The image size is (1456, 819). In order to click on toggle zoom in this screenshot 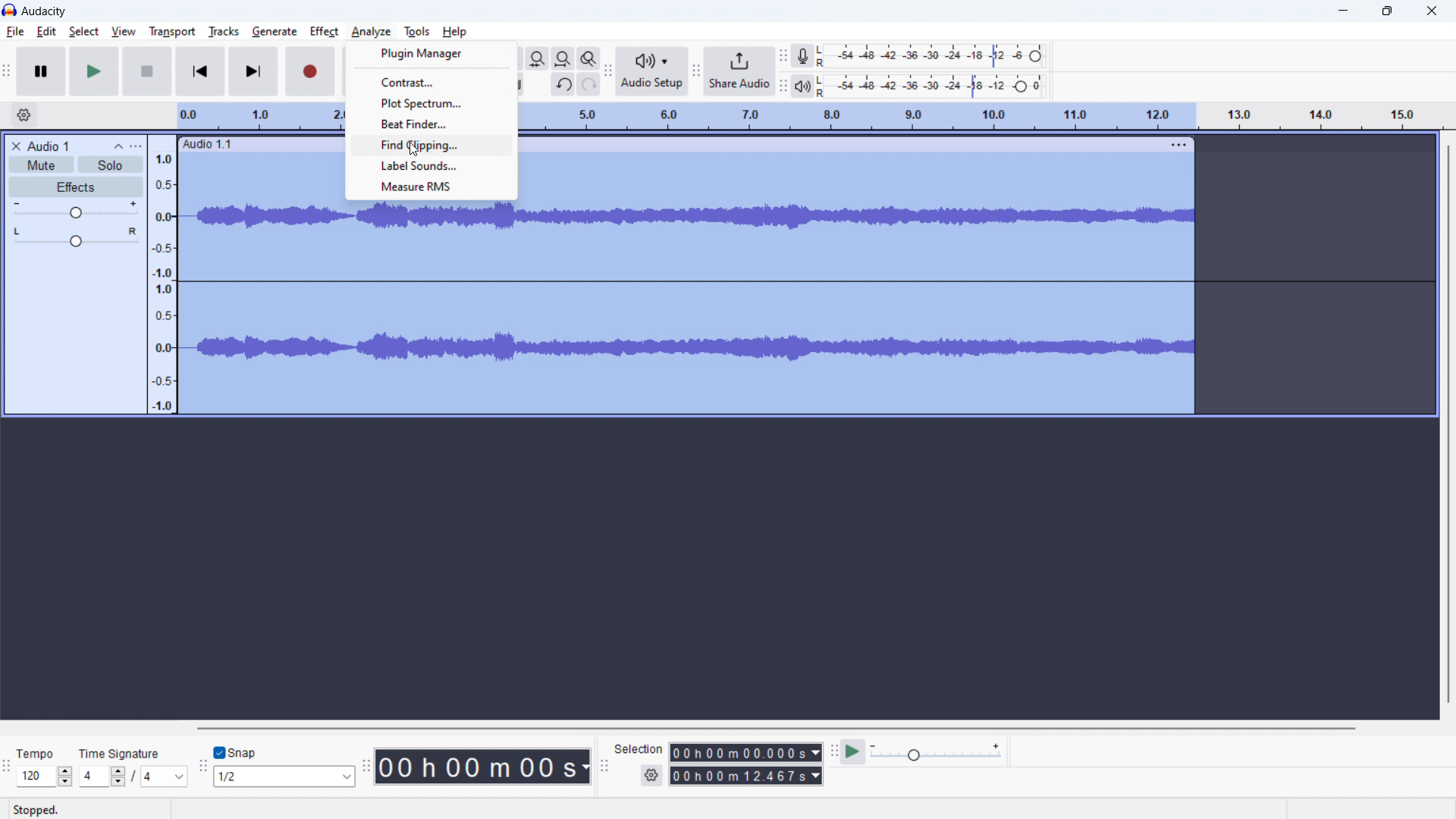, I will do `click(588, 58)`.